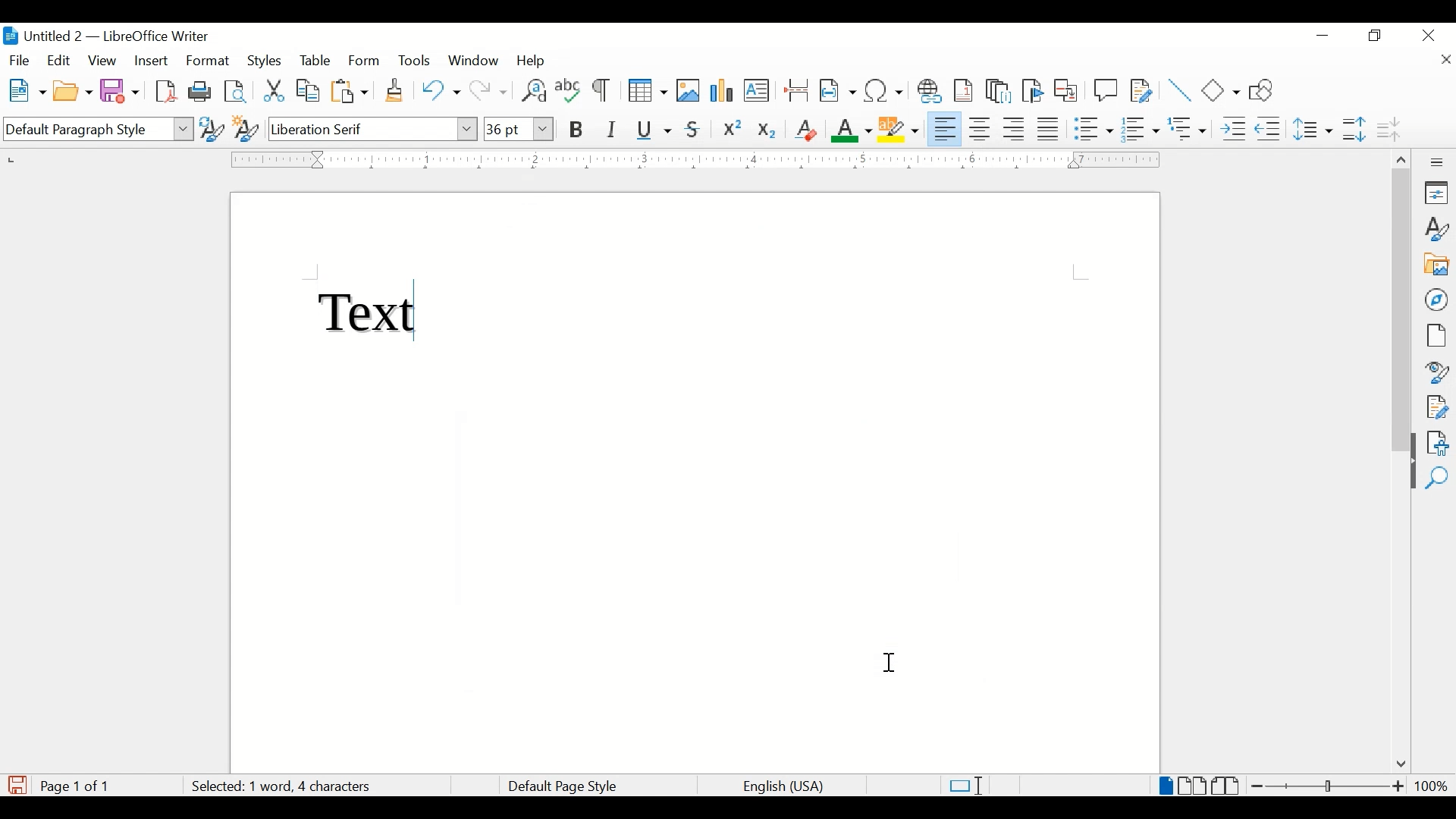 The width and height of the screenshot is (1456, 819). Describe the element at coordinates (79, 786) in the screenshot. I see `page count` at that location.